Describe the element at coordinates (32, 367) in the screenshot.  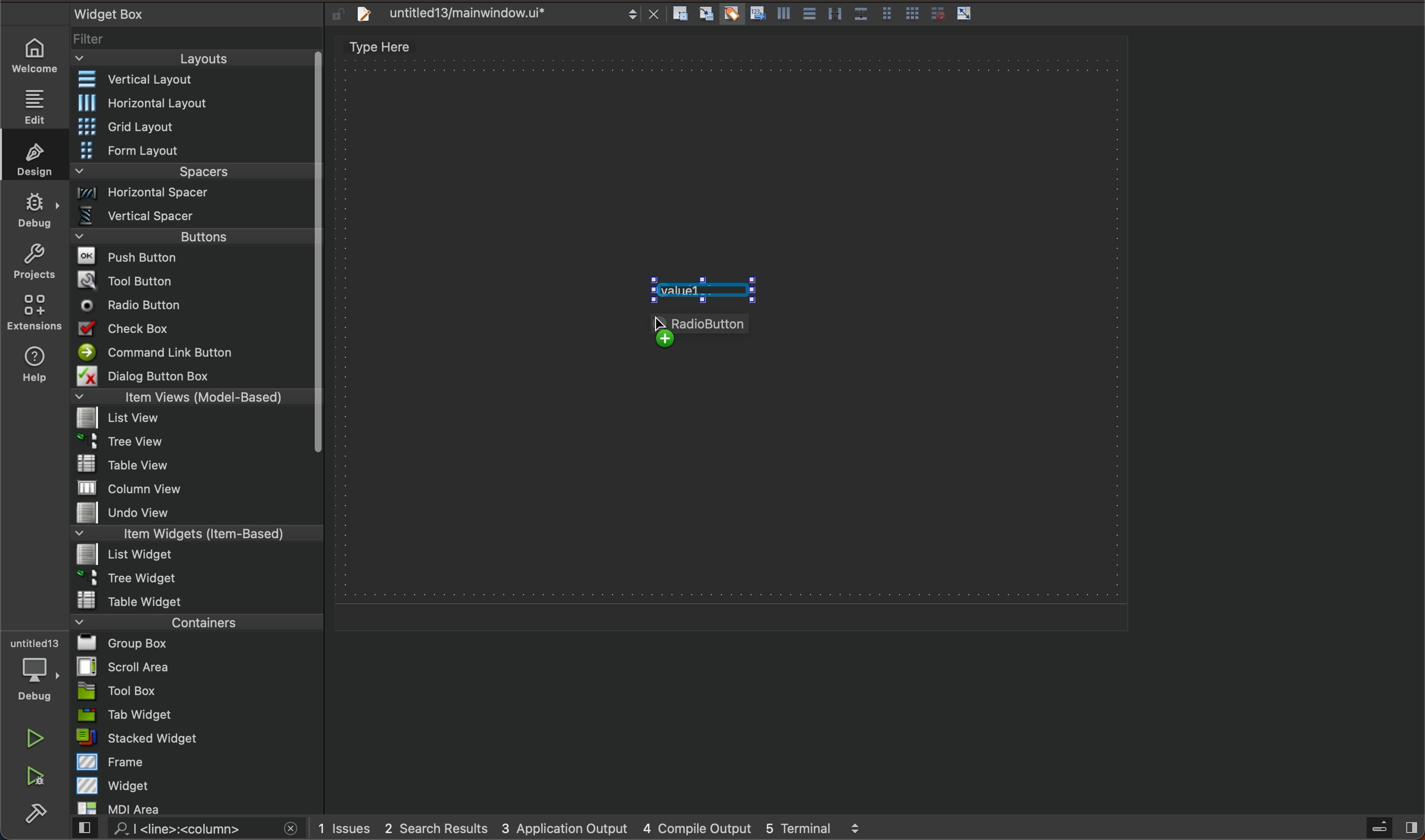
I see `help` at that location.